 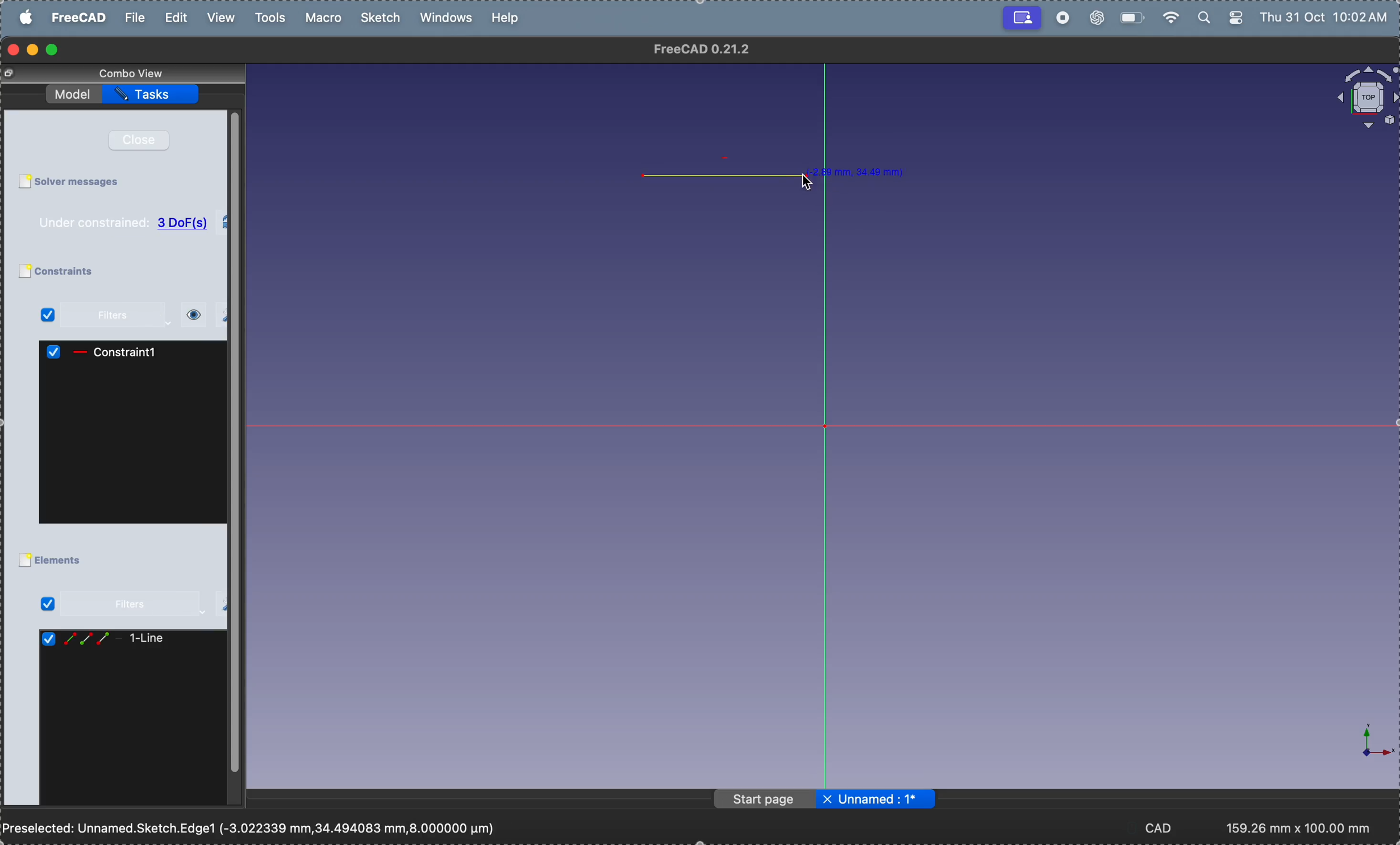 I want to click on minimize, so click(x=35, y=50).